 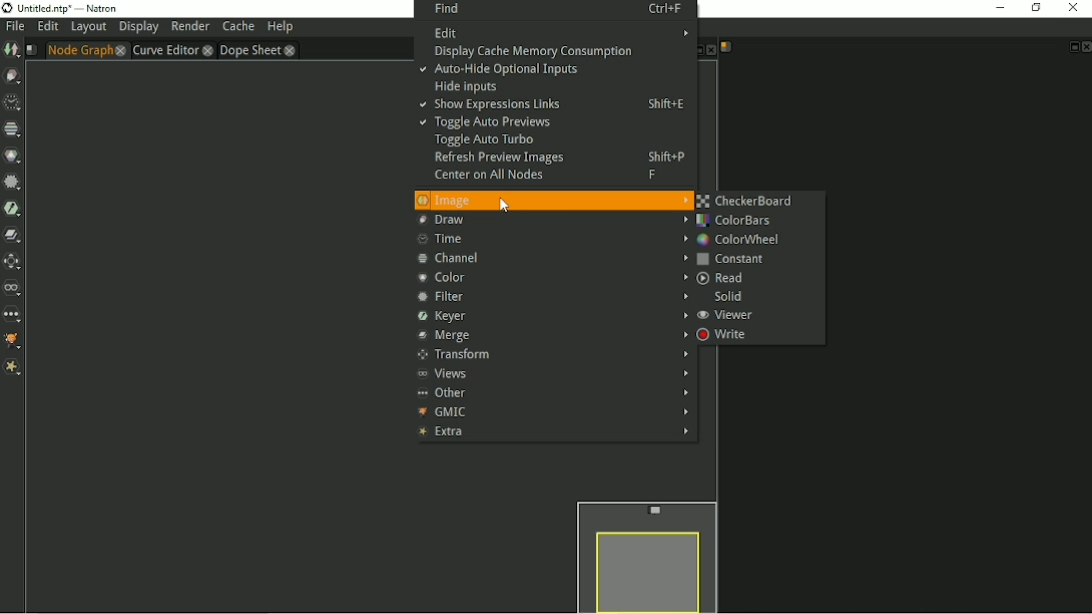 What do you see at coordinates (740, 221) in the screenshot?
I see `ColorBars` at bounding box center [740, 221].